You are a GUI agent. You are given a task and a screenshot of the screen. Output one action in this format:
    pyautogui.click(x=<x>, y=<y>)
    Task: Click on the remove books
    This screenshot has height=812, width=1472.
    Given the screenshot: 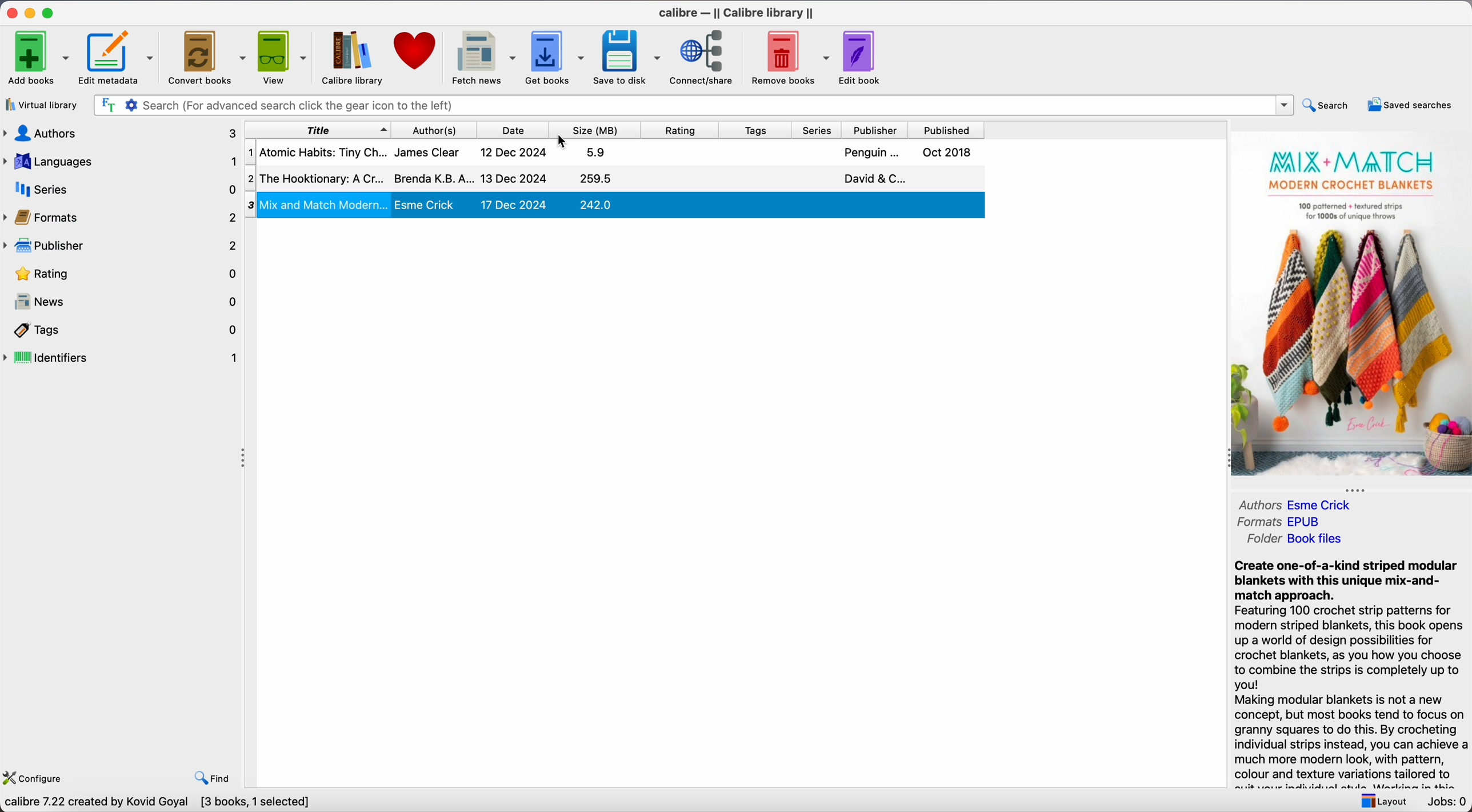 What is the action you would take?
    pyautogui.click(x=789, y=59)
    